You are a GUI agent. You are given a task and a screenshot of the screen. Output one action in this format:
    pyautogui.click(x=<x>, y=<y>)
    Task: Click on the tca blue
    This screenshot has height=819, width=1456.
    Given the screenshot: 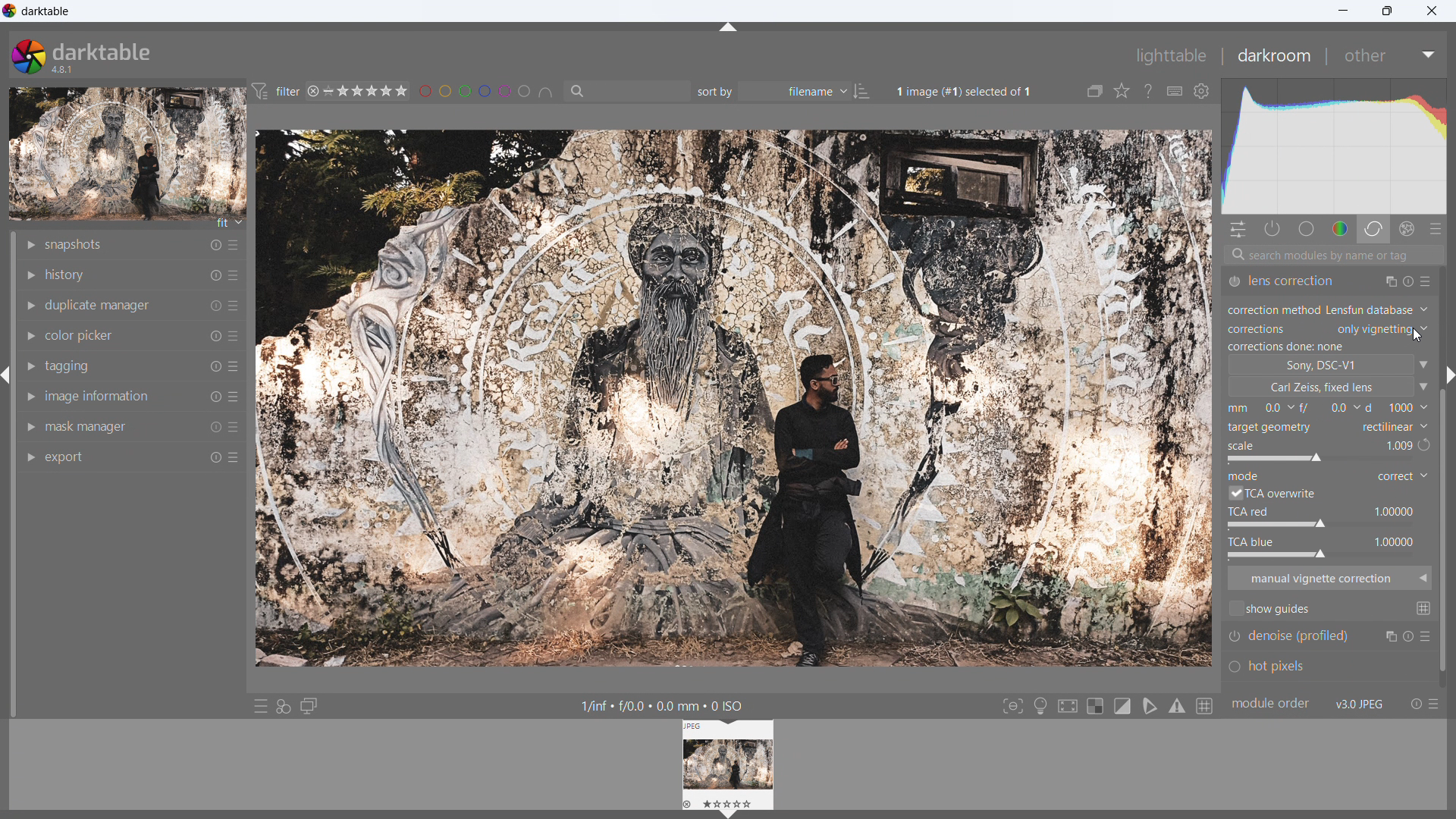 What is the action you would take?
    pyautogui.click(x=1325, y=547)
    